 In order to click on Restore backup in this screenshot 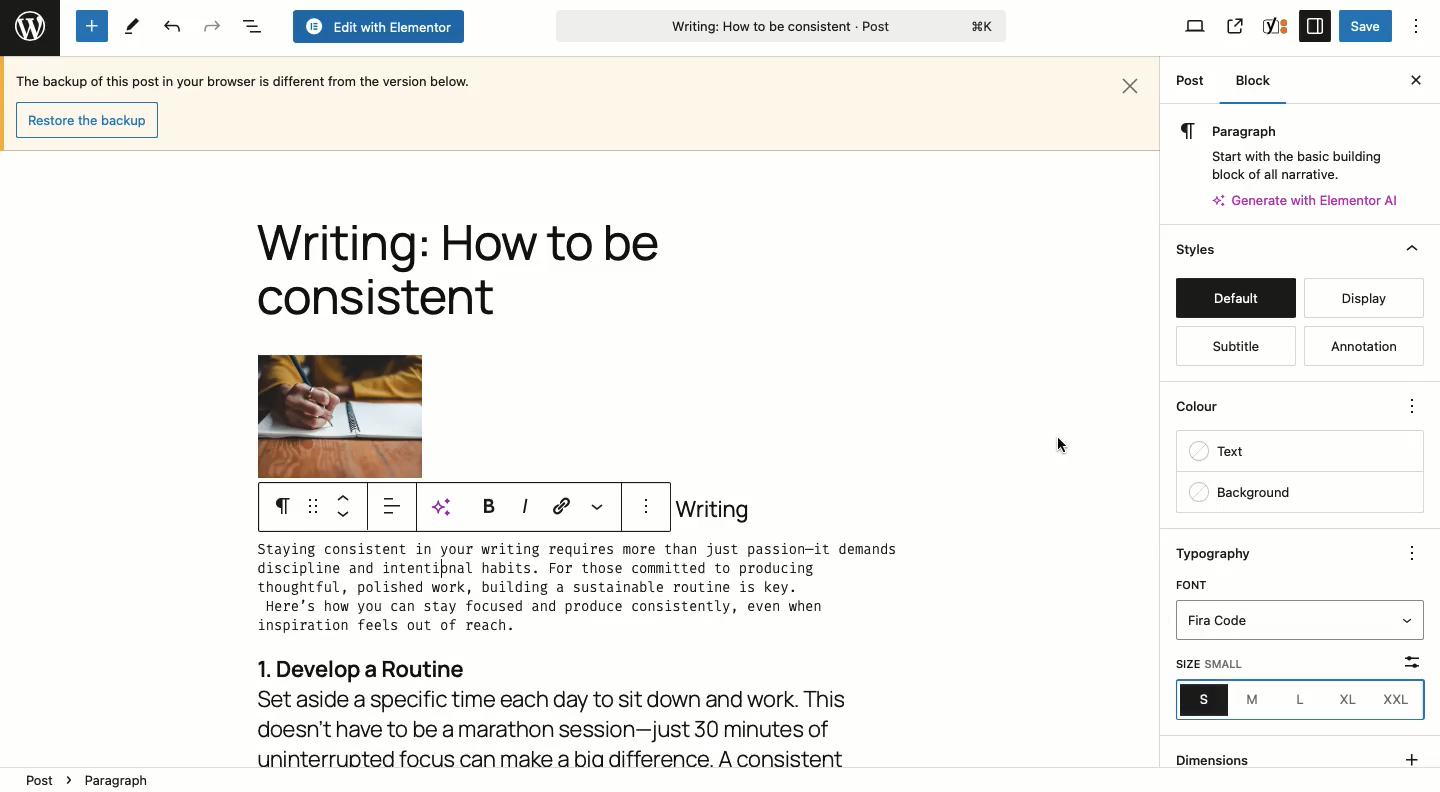, I will do `click(85, 119)`.